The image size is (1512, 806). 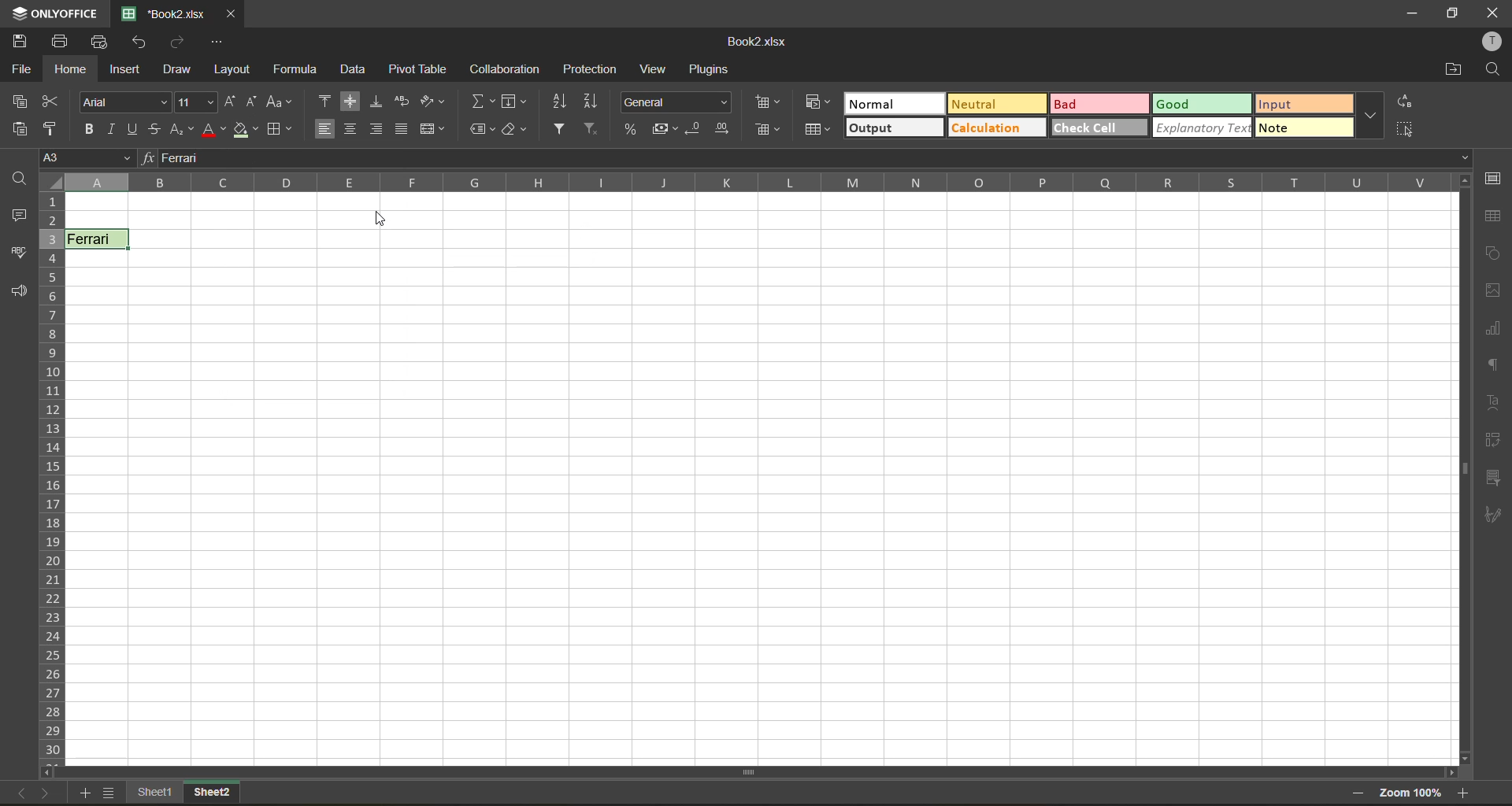 What do you see at coordinates (810, 156) in the screenshot?
I see `formula bar` at bounding box center [810, 156].